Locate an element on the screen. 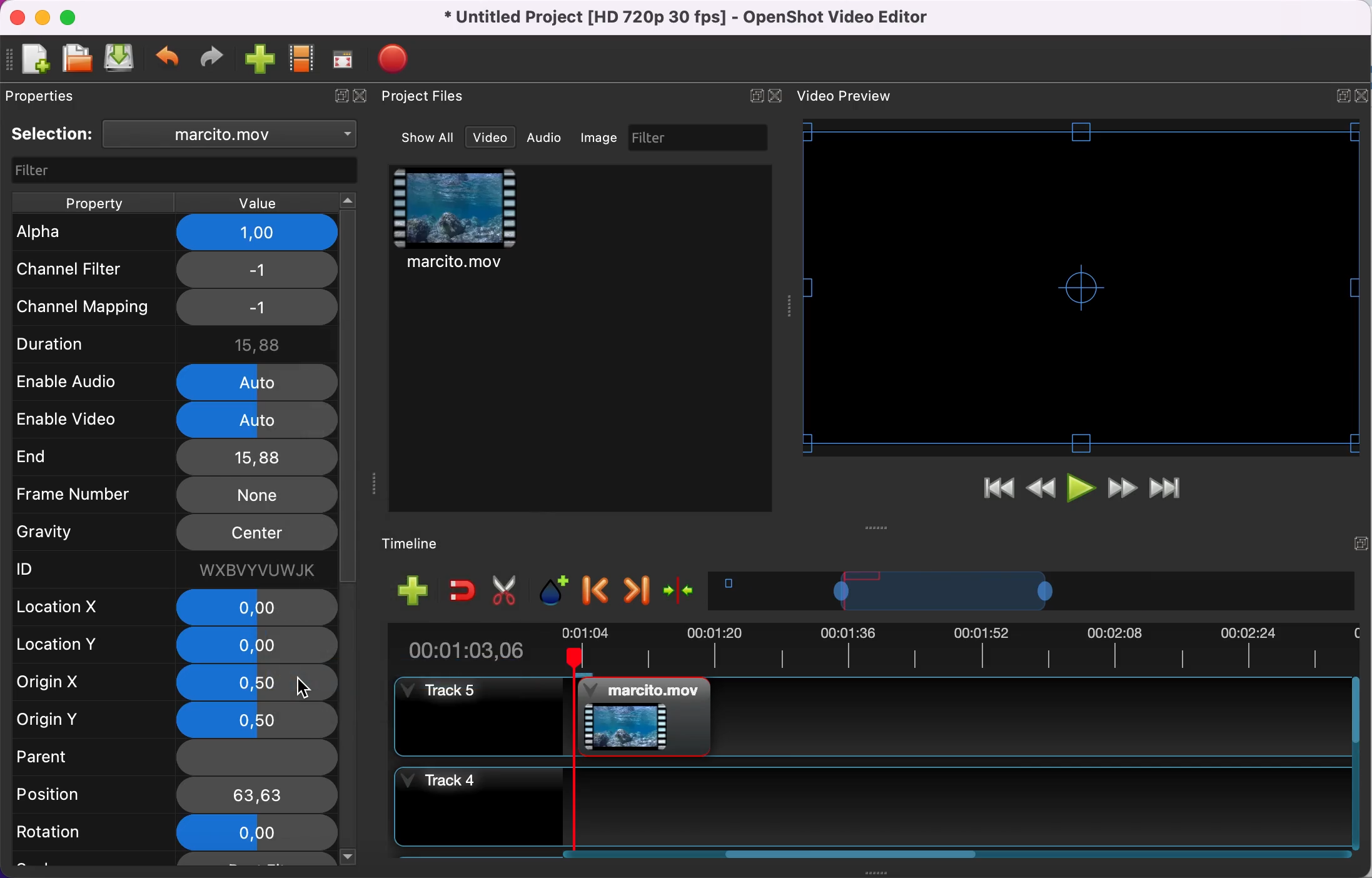  end 15,88 is located at coordinates (172, 457).